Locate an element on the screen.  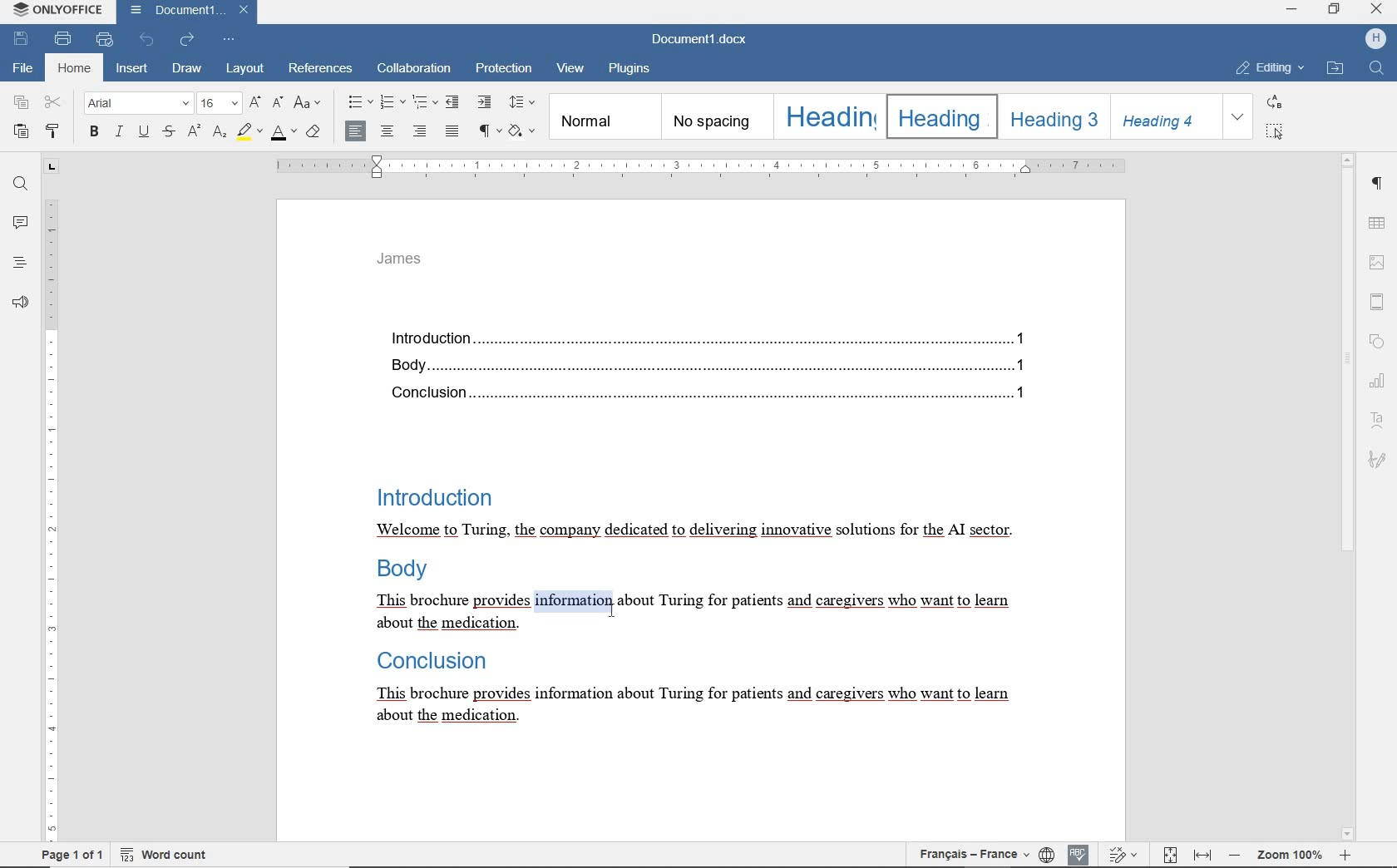
REFERENCES is located at coordinates (322, 70).